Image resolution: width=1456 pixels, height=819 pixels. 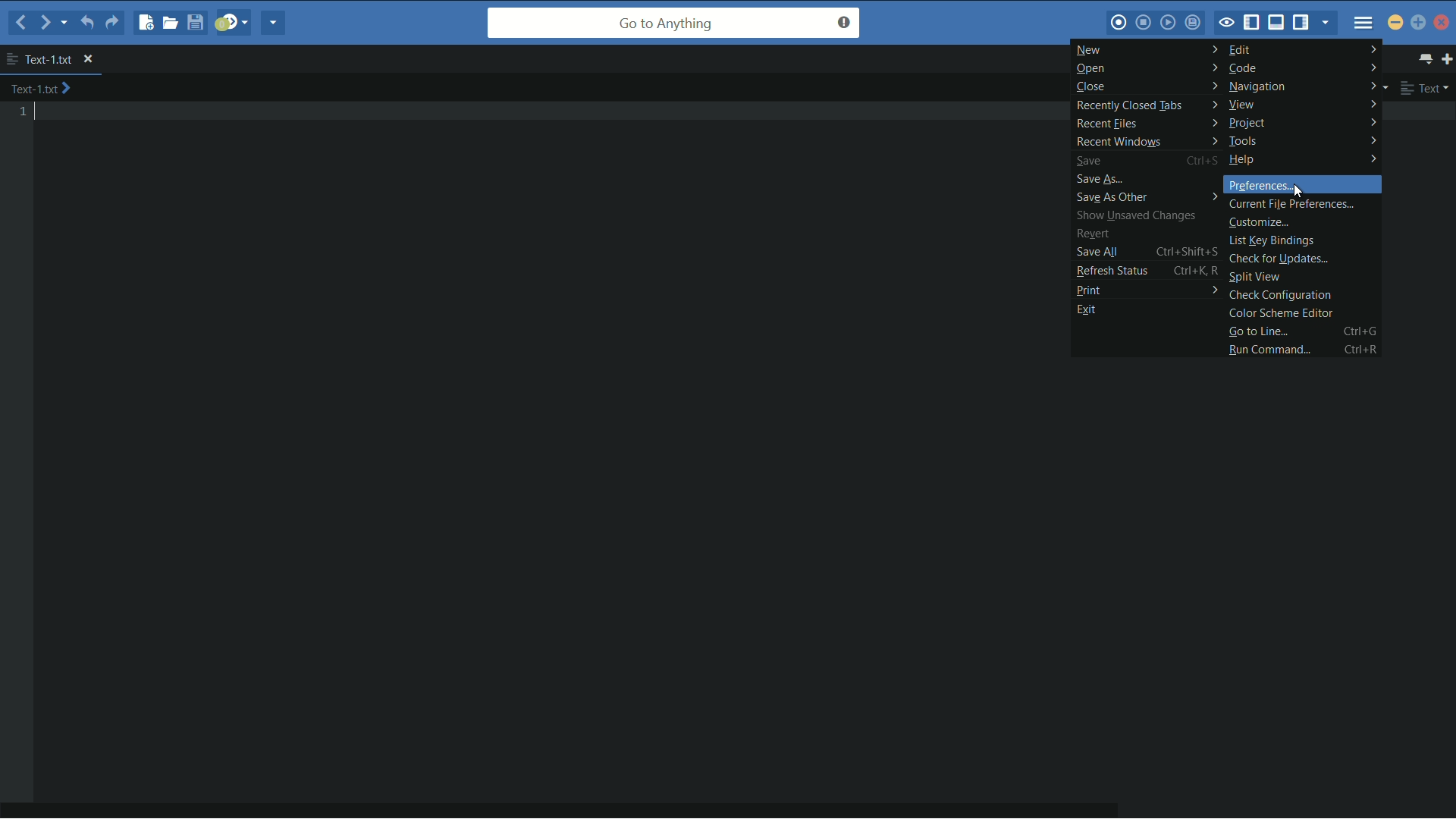 I want to click on recent files, so click(x=1144, y=125).